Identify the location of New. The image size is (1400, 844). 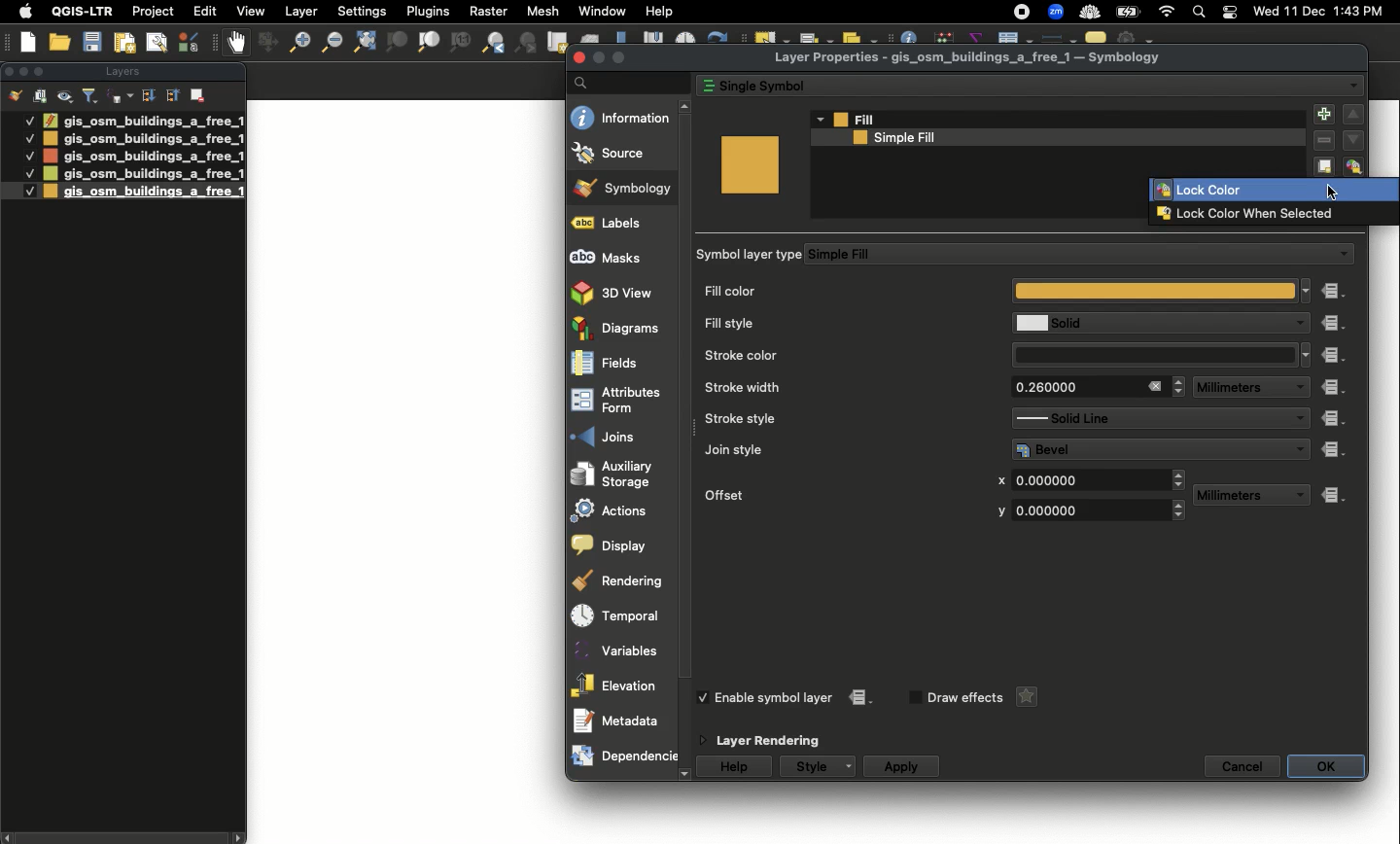
(29, 42).